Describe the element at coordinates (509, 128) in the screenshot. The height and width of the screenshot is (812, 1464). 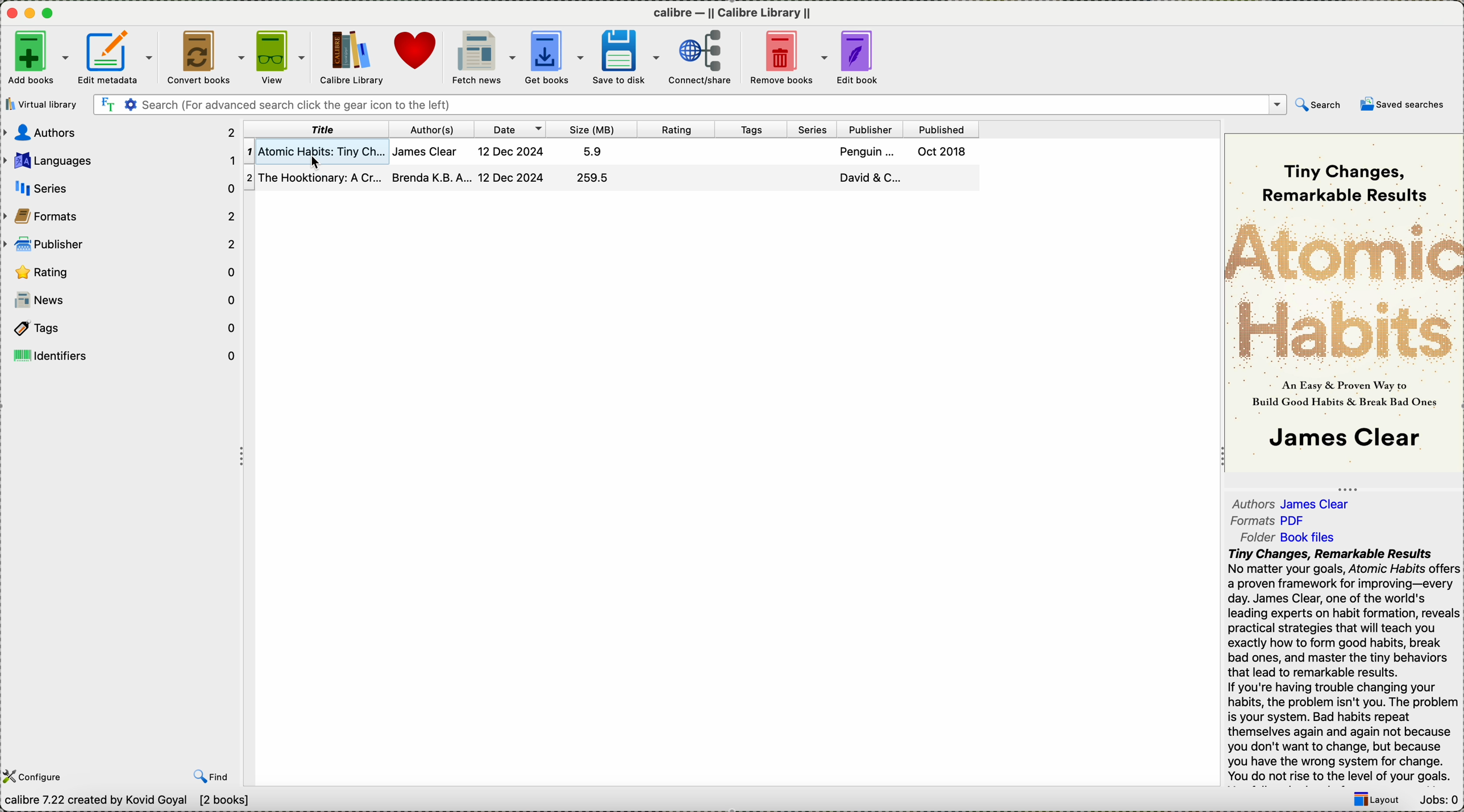
I see `date` at that location.